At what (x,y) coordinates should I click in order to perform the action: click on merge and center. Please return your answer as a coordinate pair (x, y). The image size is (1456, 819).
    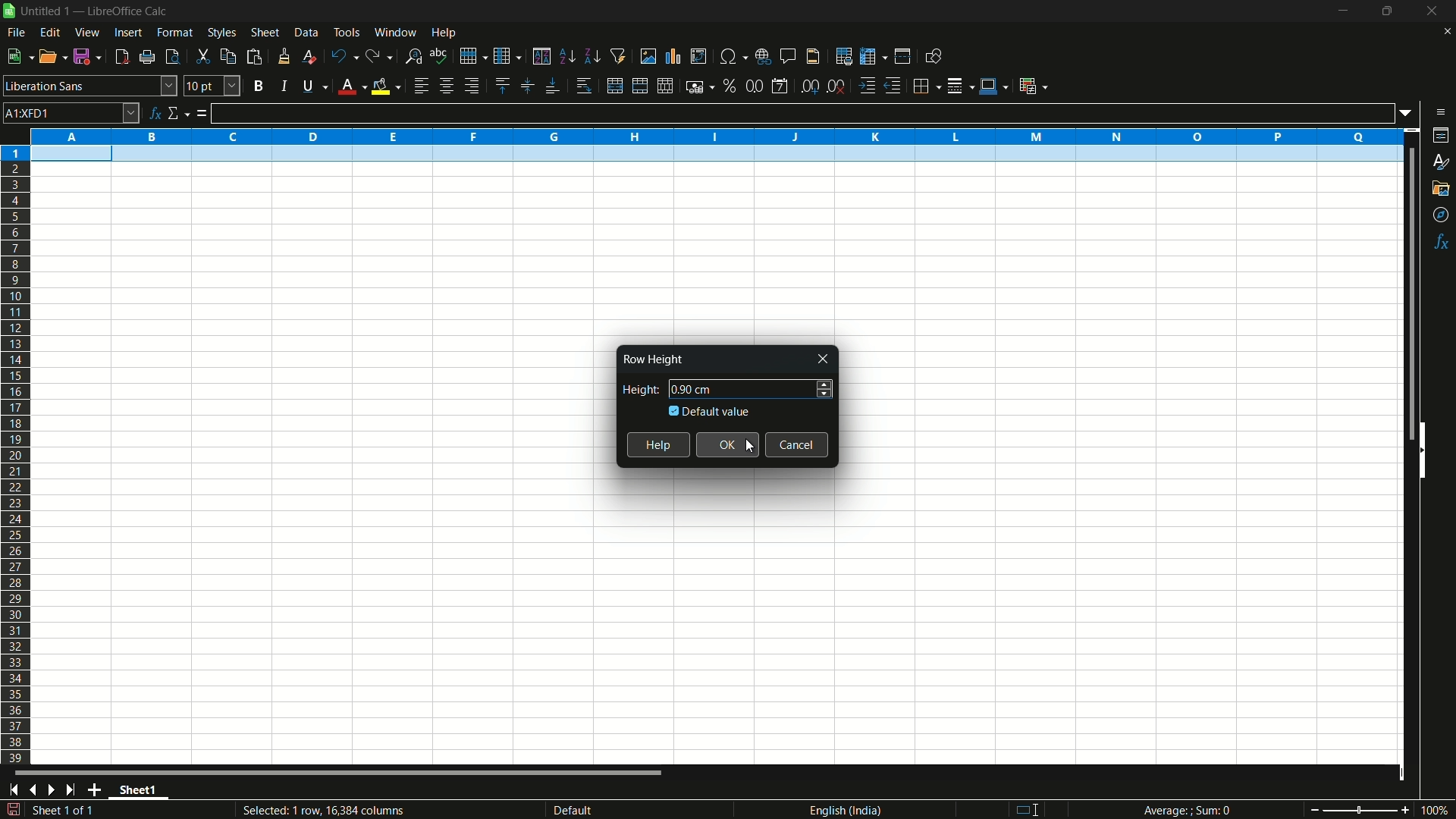
    Looking at the image, I should click on (638, 86).